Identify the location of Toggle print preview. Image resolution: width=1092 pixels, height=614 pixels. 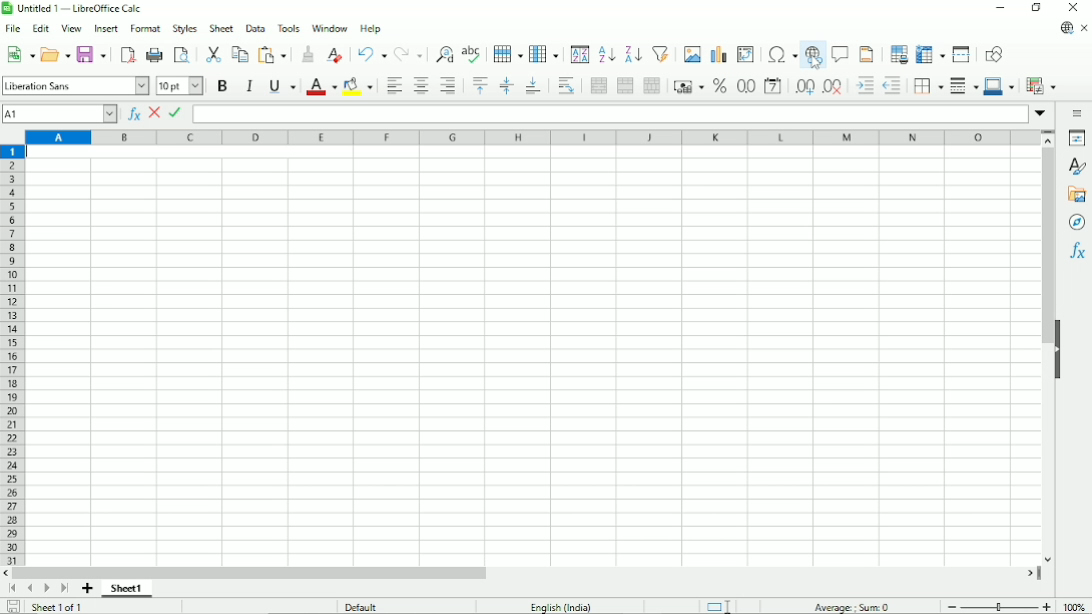
(183, 56).